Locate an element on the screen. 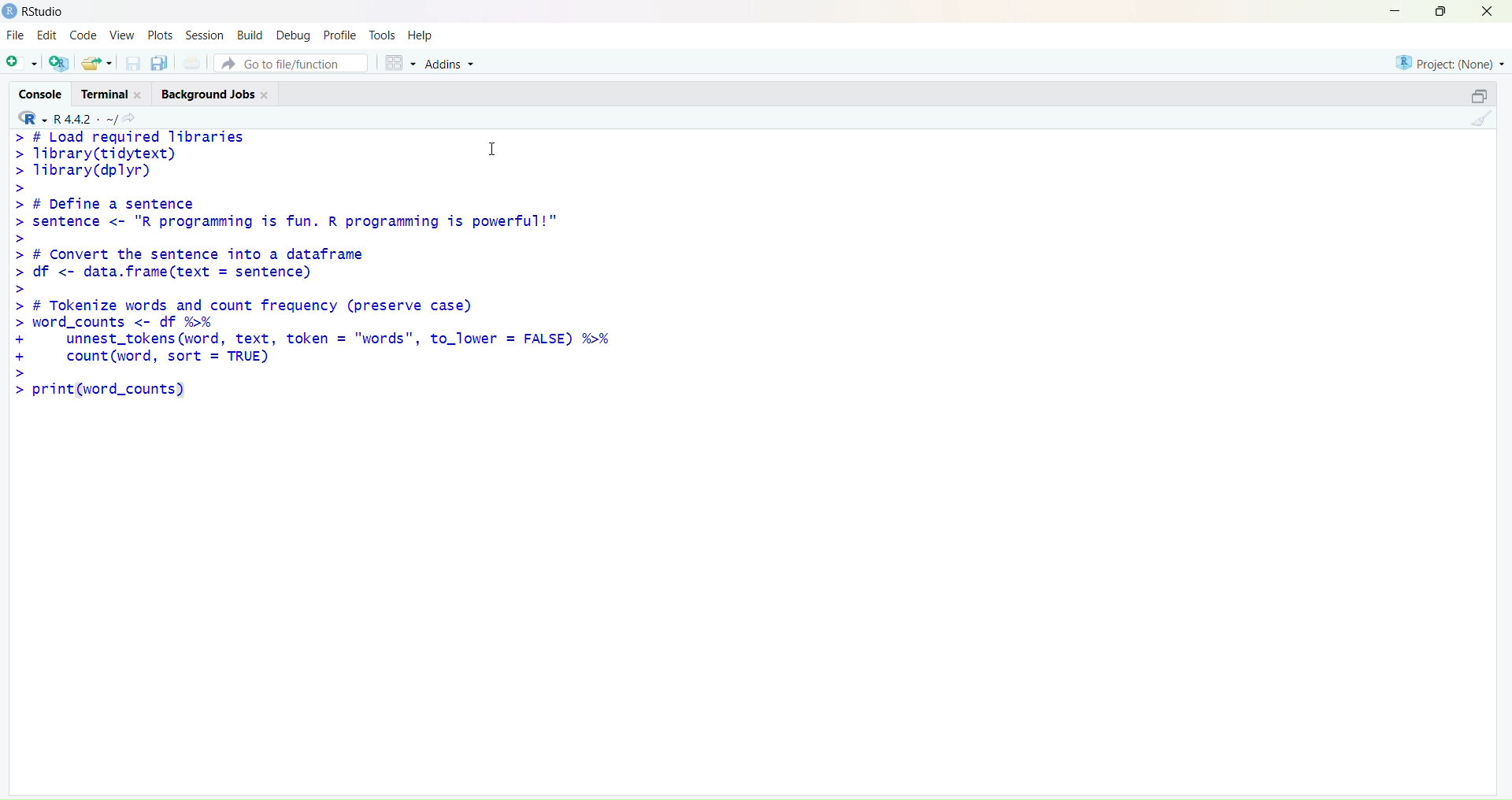  Rstudio is located at coordinates (36, 12).